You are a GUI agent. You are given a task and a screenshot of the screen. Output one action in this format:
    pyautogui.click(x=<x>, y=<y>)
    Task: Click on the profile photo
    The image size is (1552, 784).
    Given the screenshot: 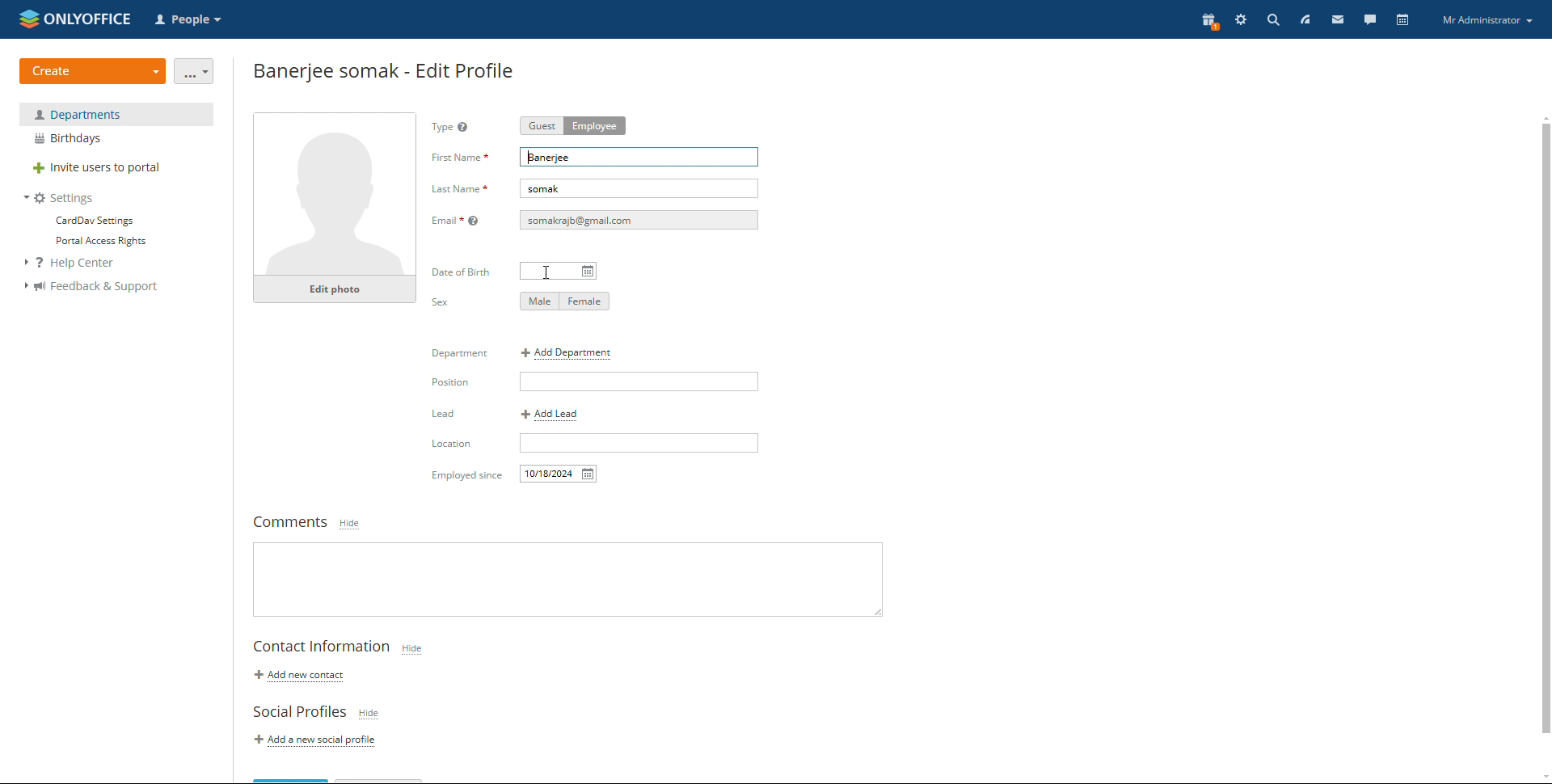 What is the action you would take?
    pyautogui.click(x=335, y=194)
    